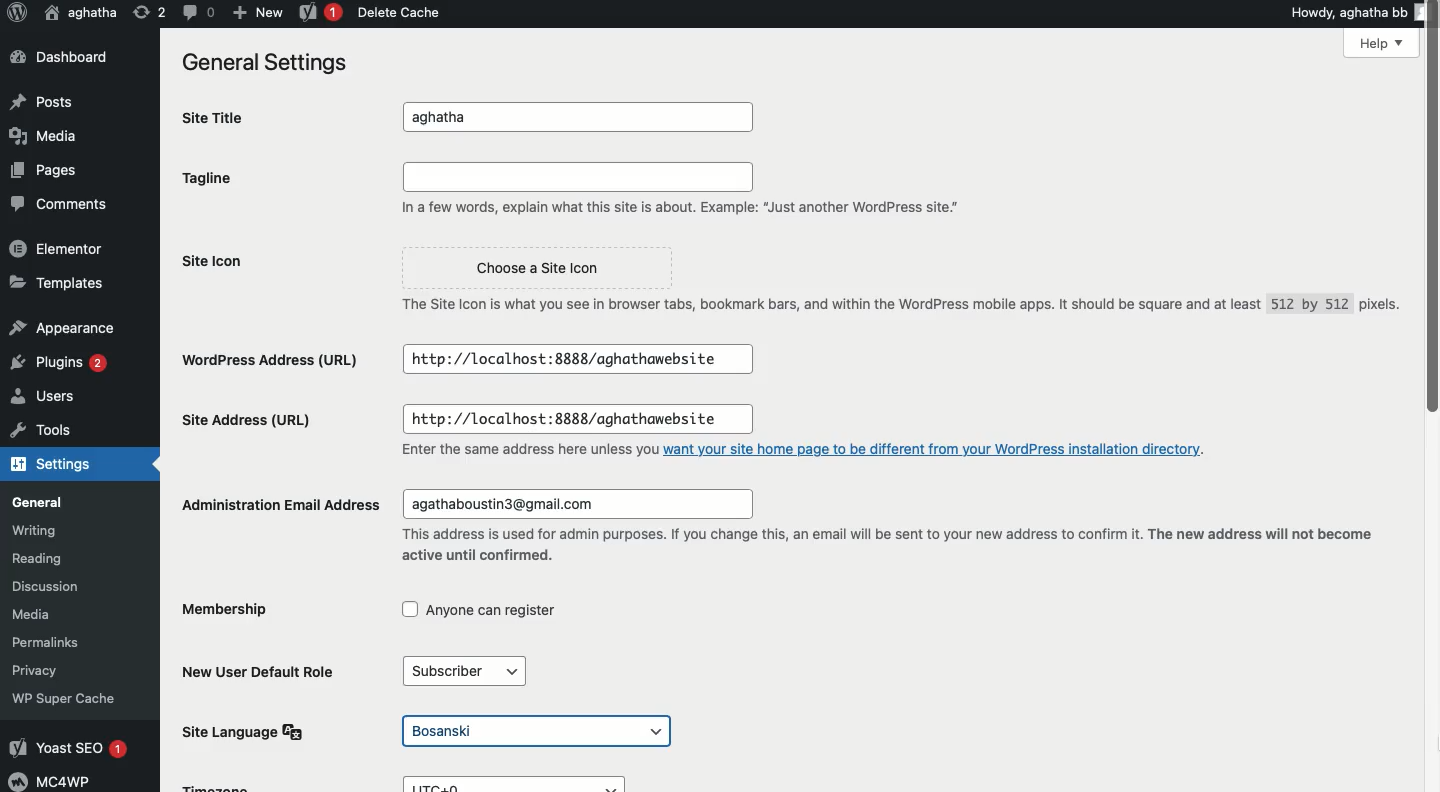 This screenshot has height=792, width=1440. What do you see at coordinates (220, 117) in the screenshot?
I see `Site title` at bounding box center [220, 117].